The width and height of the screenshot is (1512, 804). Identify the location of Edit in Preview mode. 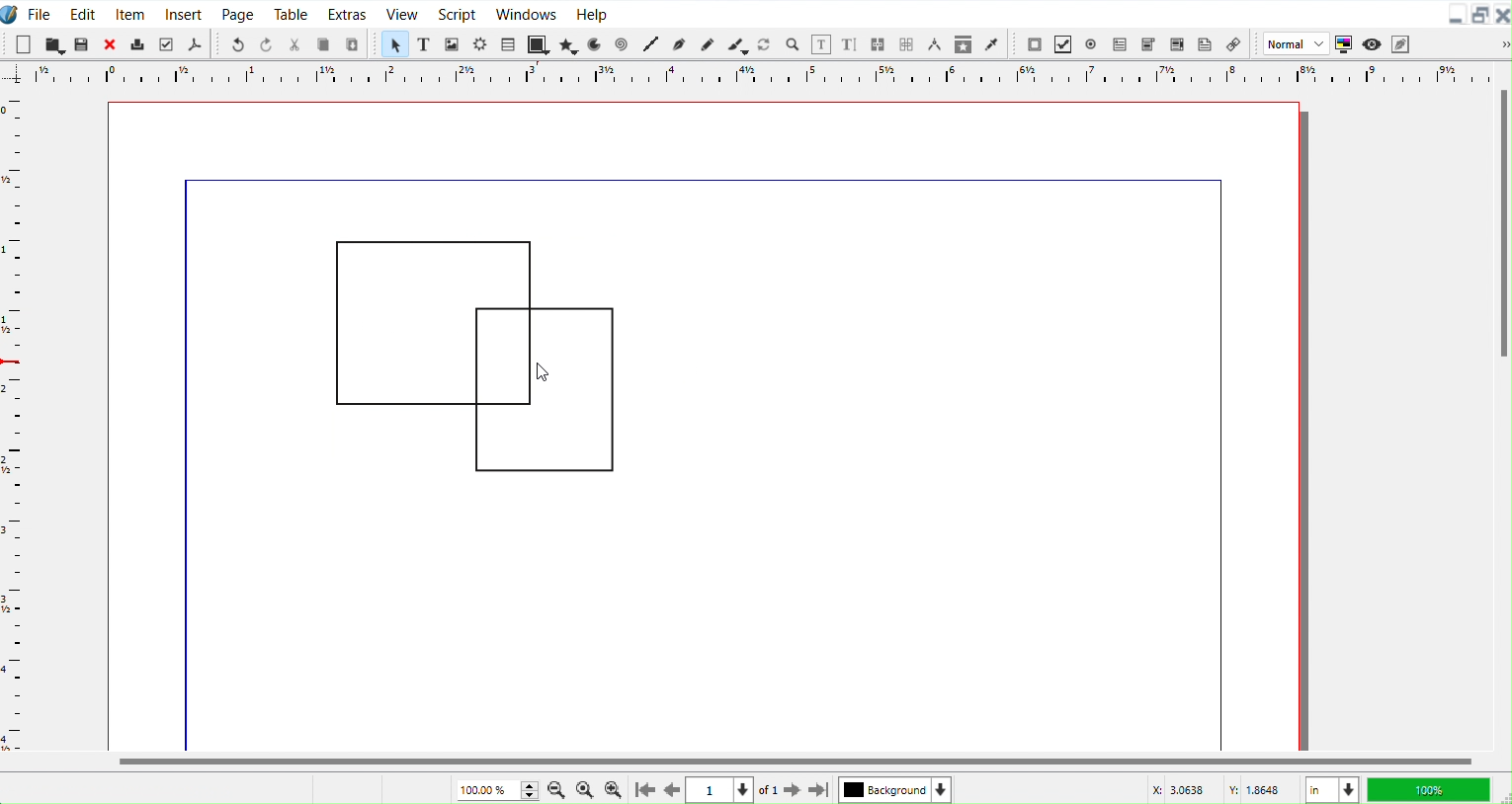
(1400, 42).